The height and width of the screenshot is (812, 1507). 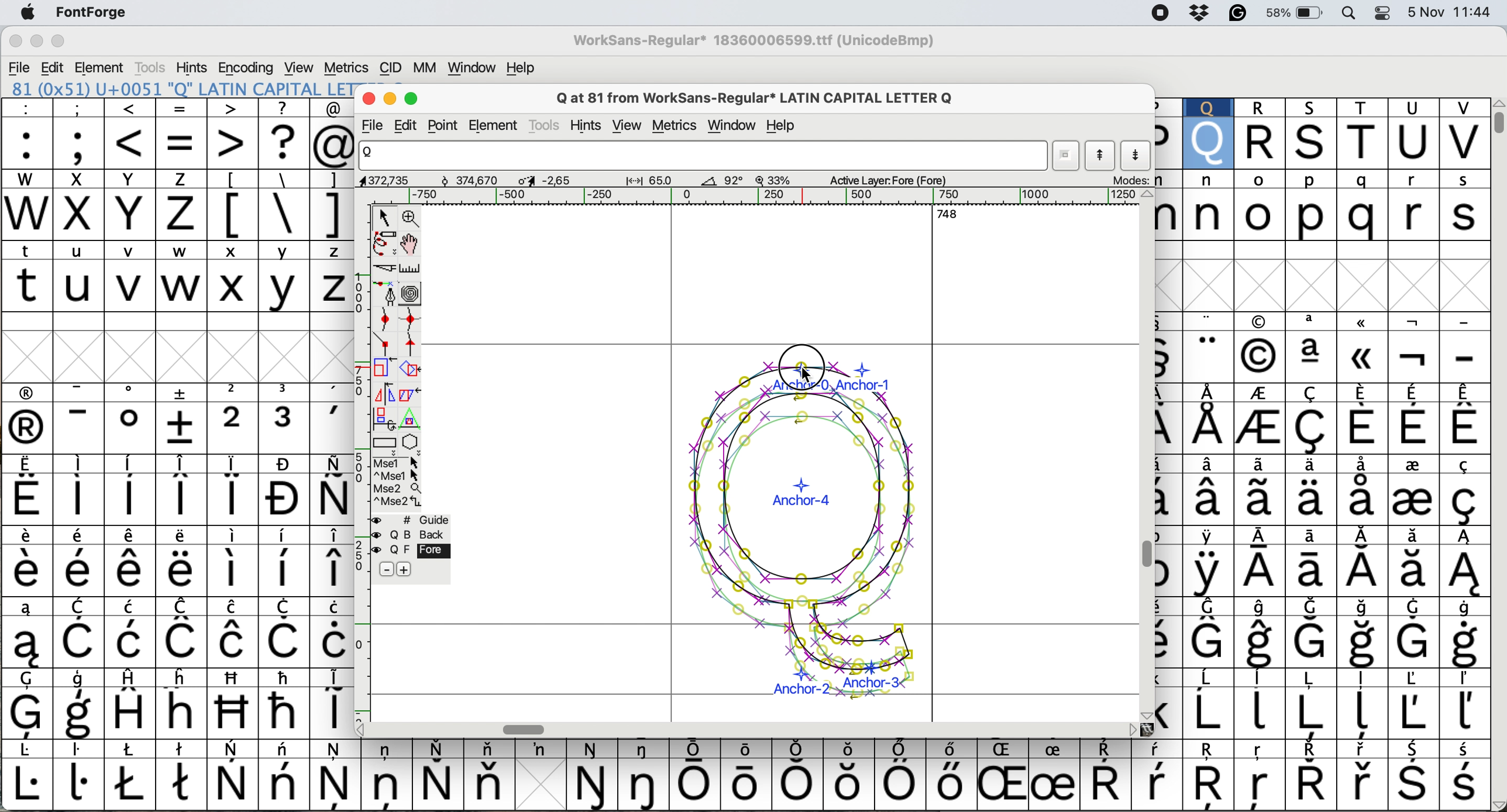 I want to click on vertical scroll bar, so click(x=1494, y=121).